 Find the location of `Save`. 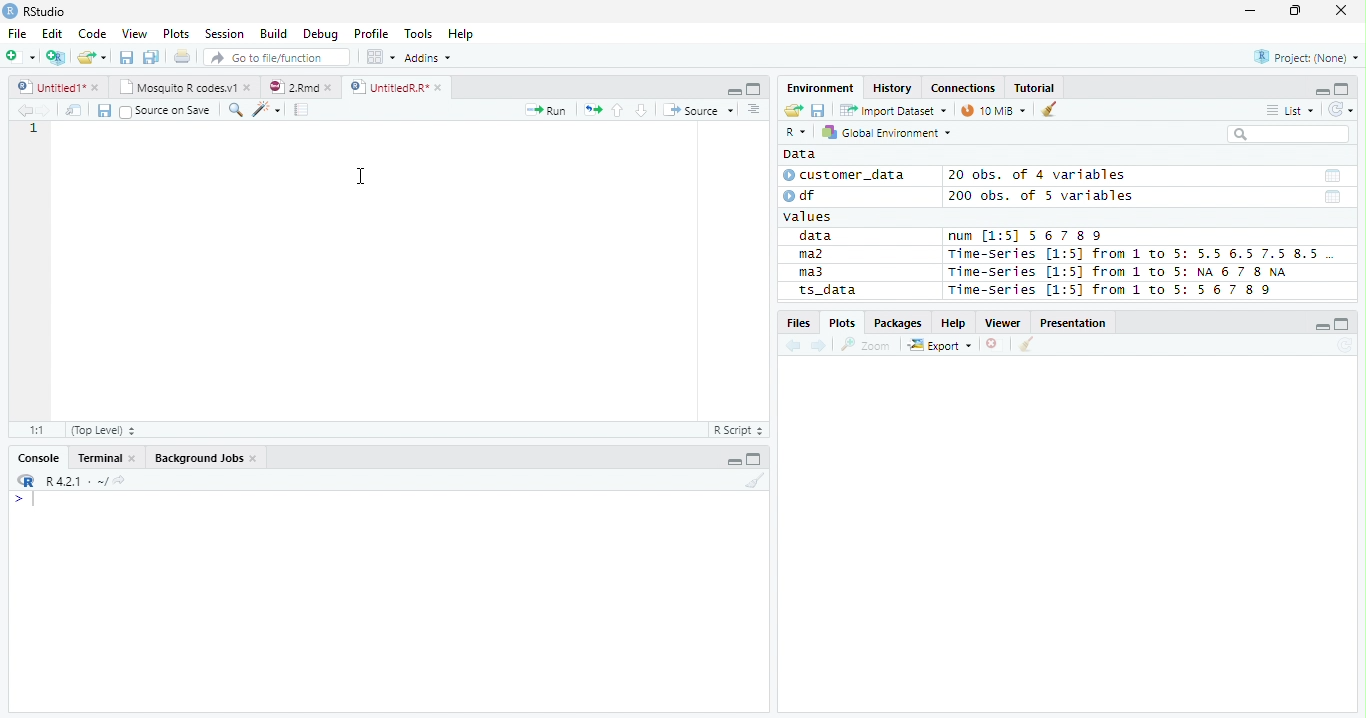

Save is located at coordinates (818, 109).